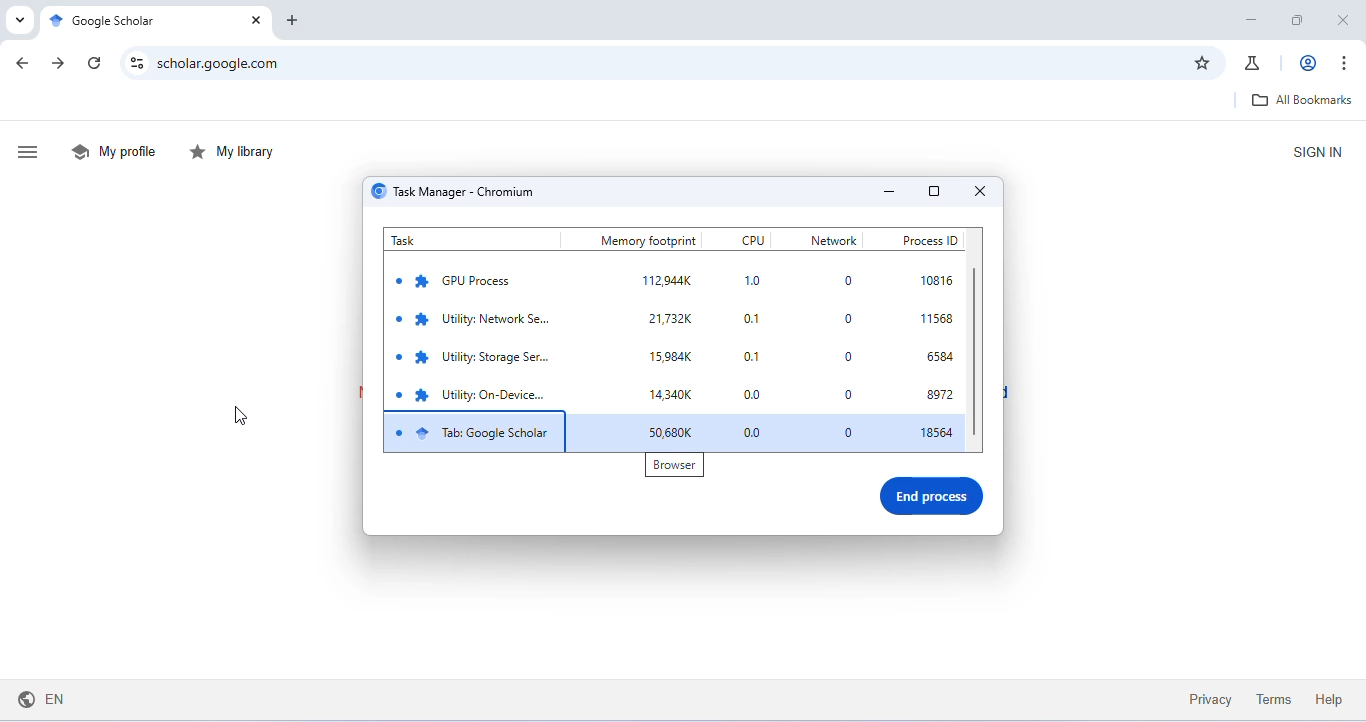  Describe the element at coordinates (978, 193) in the screenshot. I see `close` at that location.